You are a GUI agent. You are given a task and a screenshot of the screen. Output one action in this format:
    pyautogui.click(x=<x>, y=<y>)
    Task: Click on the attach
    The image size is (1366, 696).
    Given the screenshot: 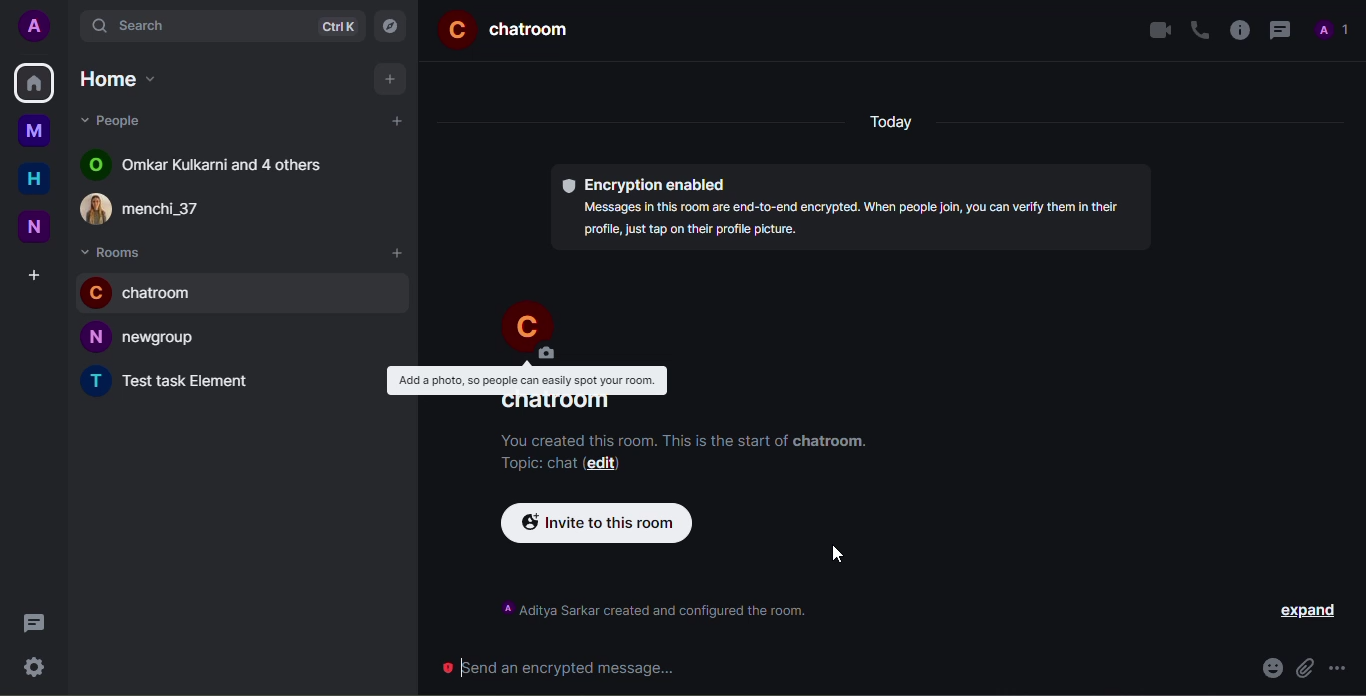 What is the action you would take?
    pyautogui.click(x=1303, y=670)
    